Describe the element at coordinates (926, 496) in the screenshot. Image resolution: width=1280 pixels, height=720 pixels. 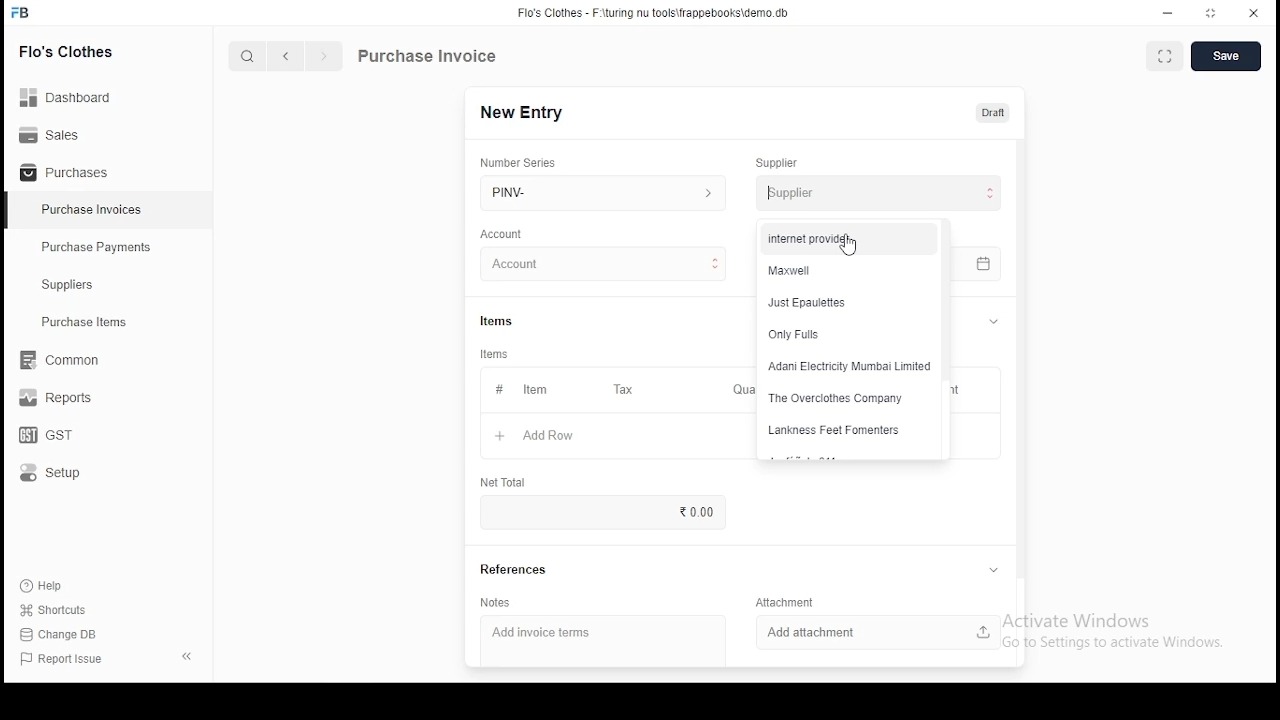
I see `Rate` at that location.